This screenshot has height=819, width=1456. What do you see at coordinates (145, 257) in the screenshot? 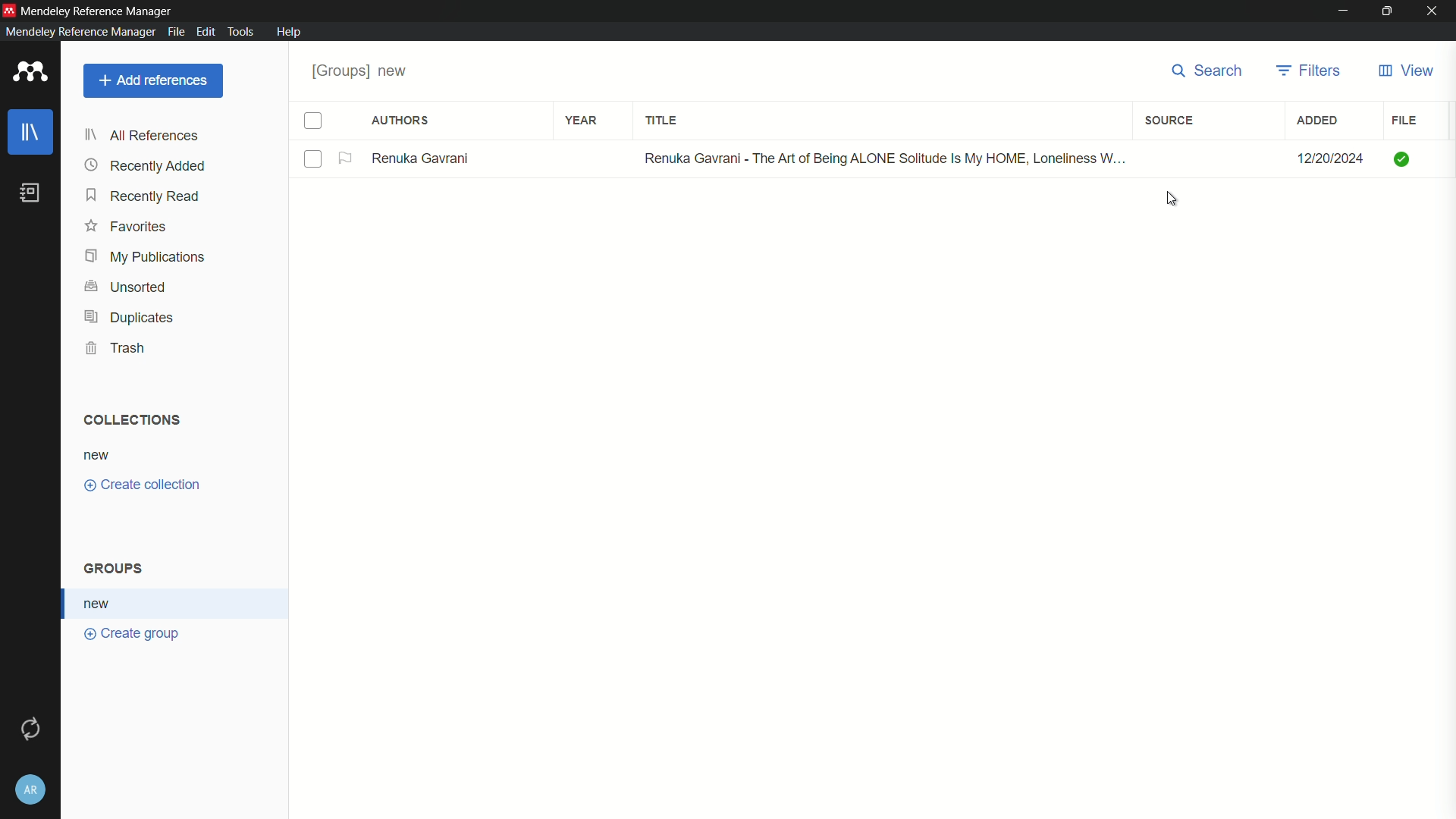
I see `my publications` at bounding box center [145, 257].